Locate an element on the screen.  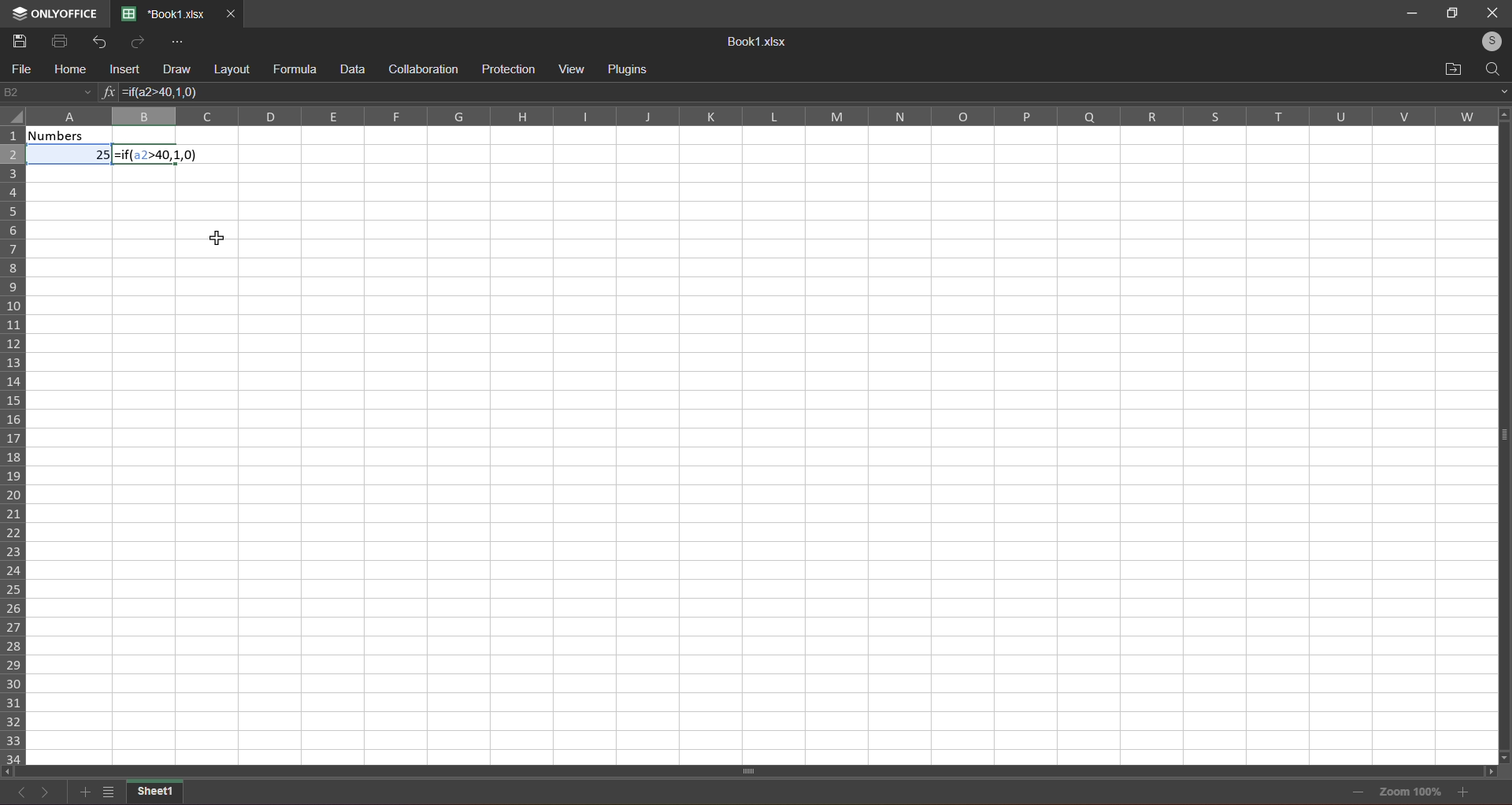
sheet1 is located at coordinates (157, 793).